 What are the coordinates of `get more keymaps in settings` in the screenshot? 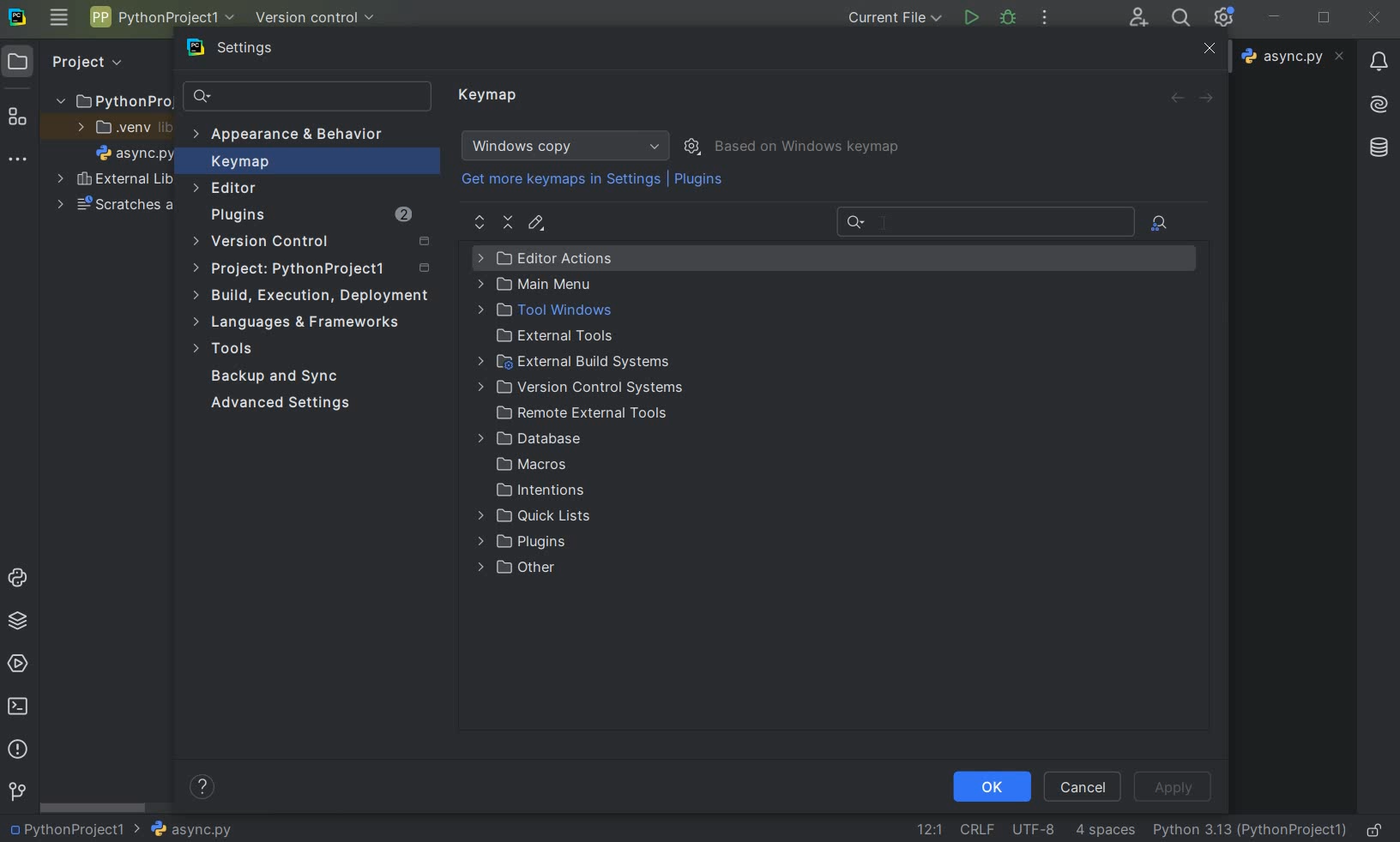 It's located at (563, 182).